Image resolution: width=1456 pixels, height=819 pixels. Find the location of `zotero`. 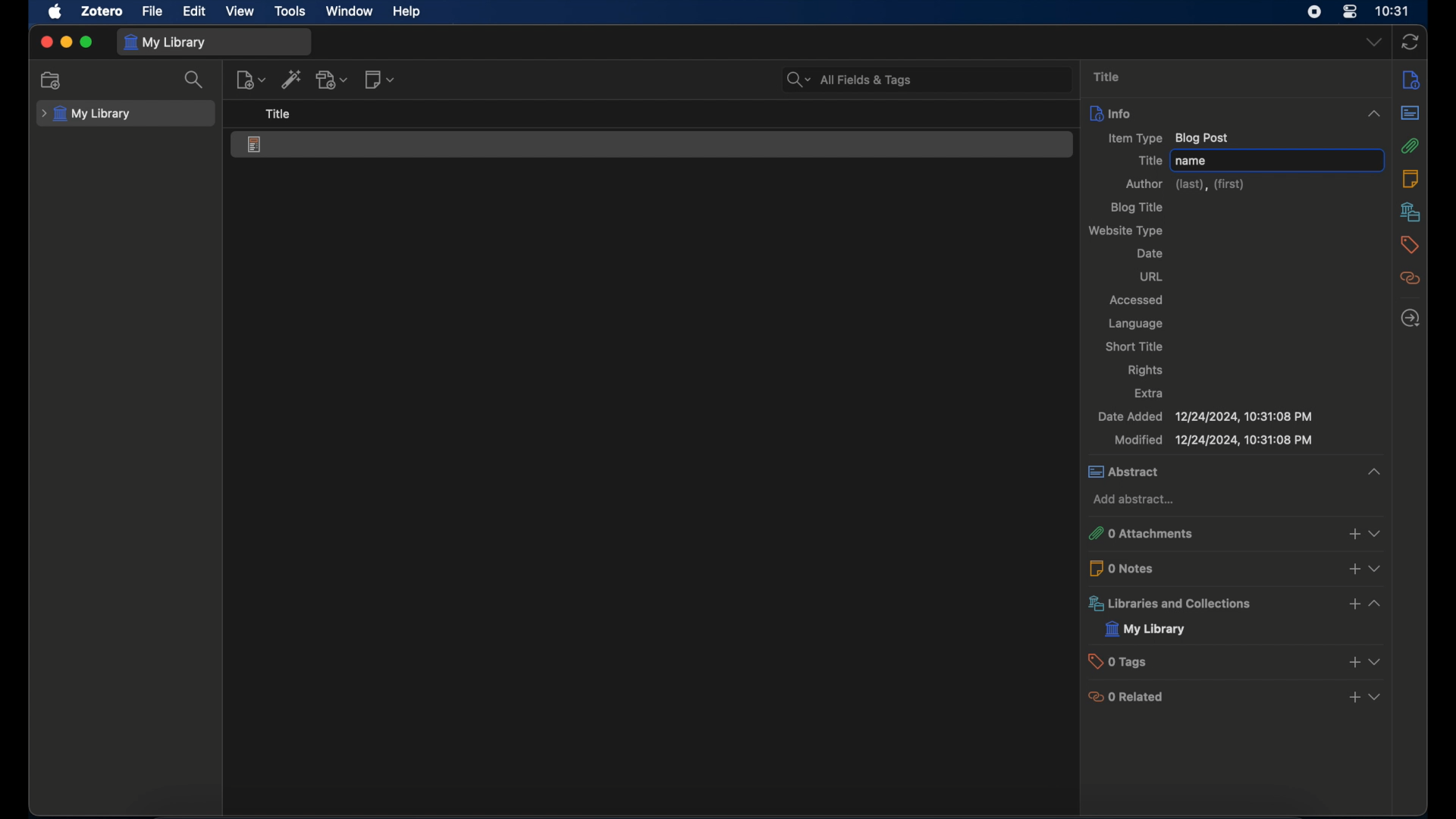

zotero is located at coordinates (102, 11).